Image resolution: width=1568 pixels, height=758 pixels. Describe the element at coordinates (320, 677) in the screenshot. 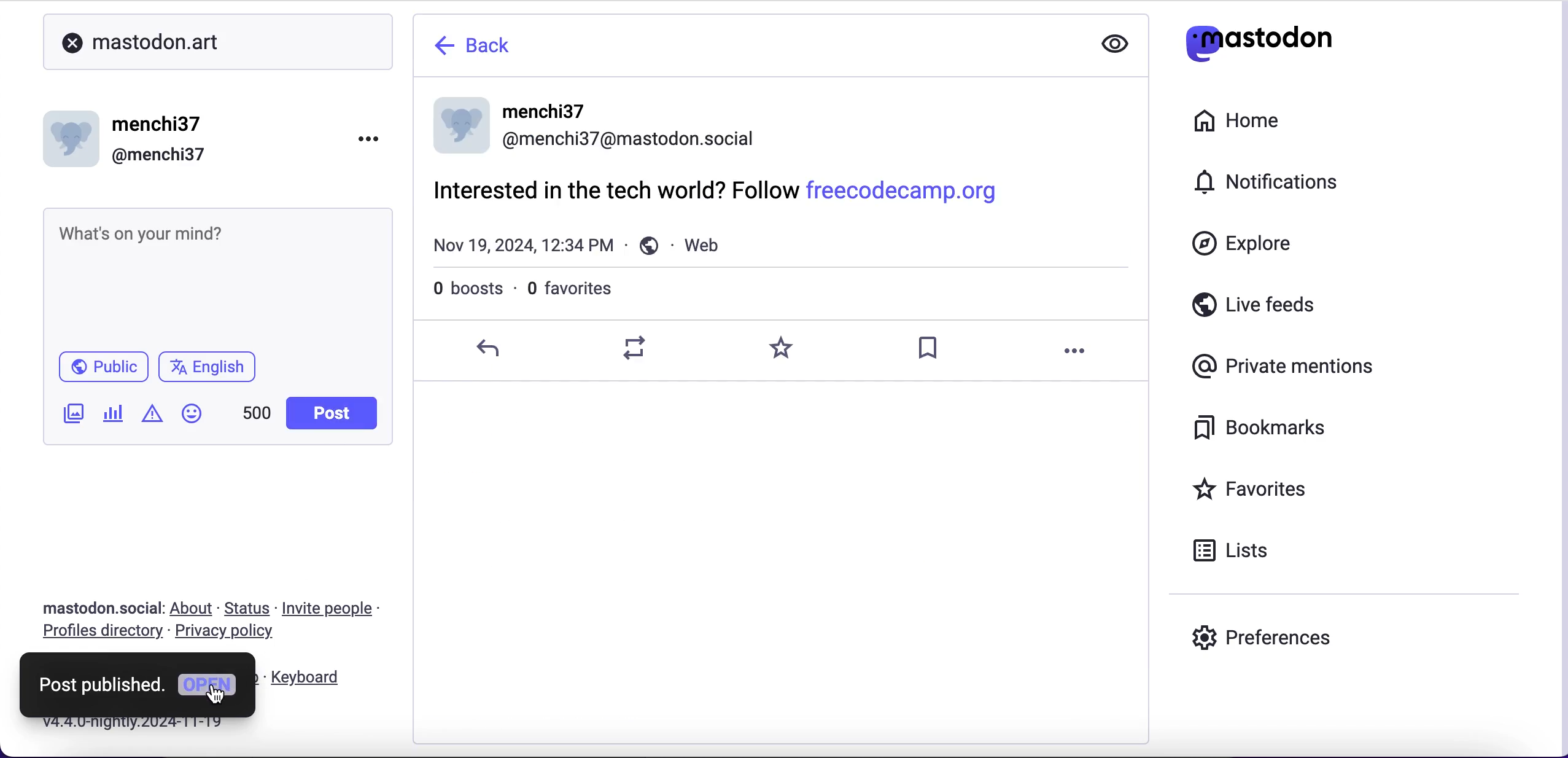

I see `keyboard` at that location.